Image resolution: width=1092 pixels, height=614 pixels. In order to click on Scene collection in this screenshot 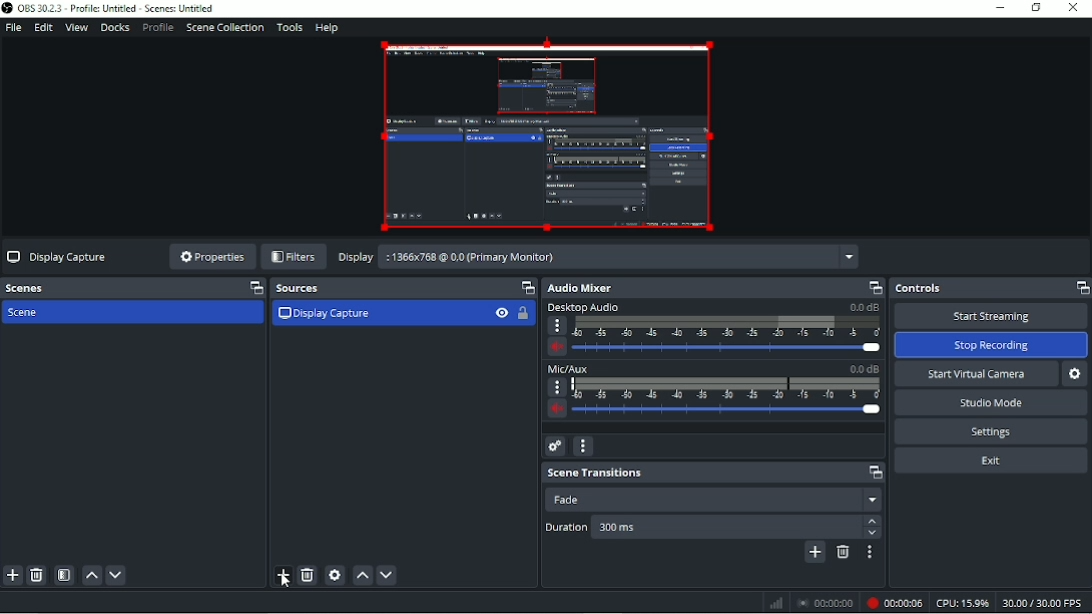, I will do `click(224, 28)`.